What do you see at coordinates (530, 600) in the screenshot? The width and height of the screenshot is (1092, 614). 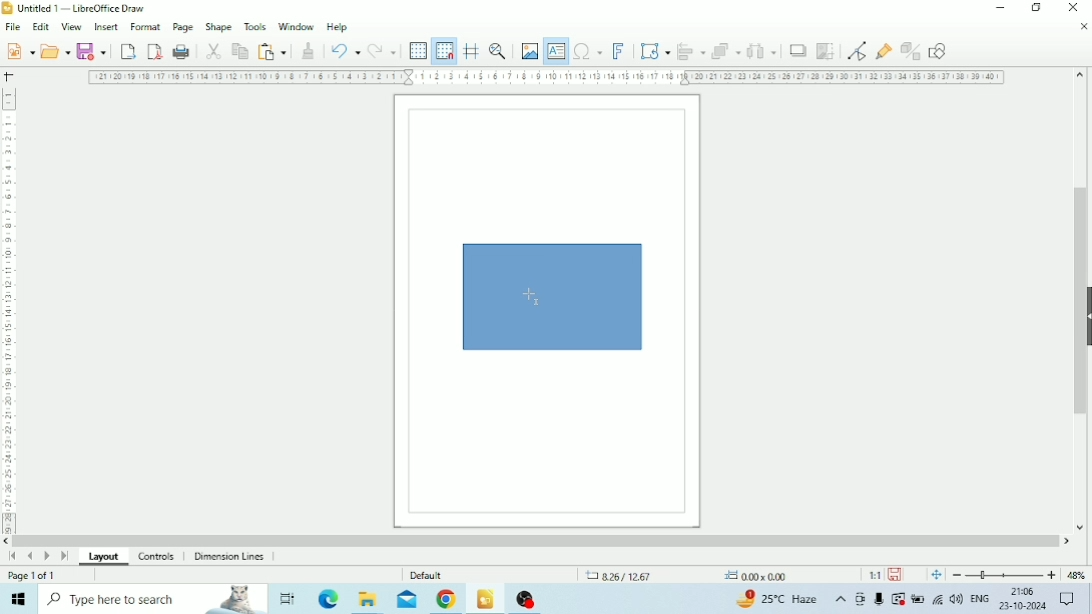 I see `OBS Studio` at bounding box center [530, 600].